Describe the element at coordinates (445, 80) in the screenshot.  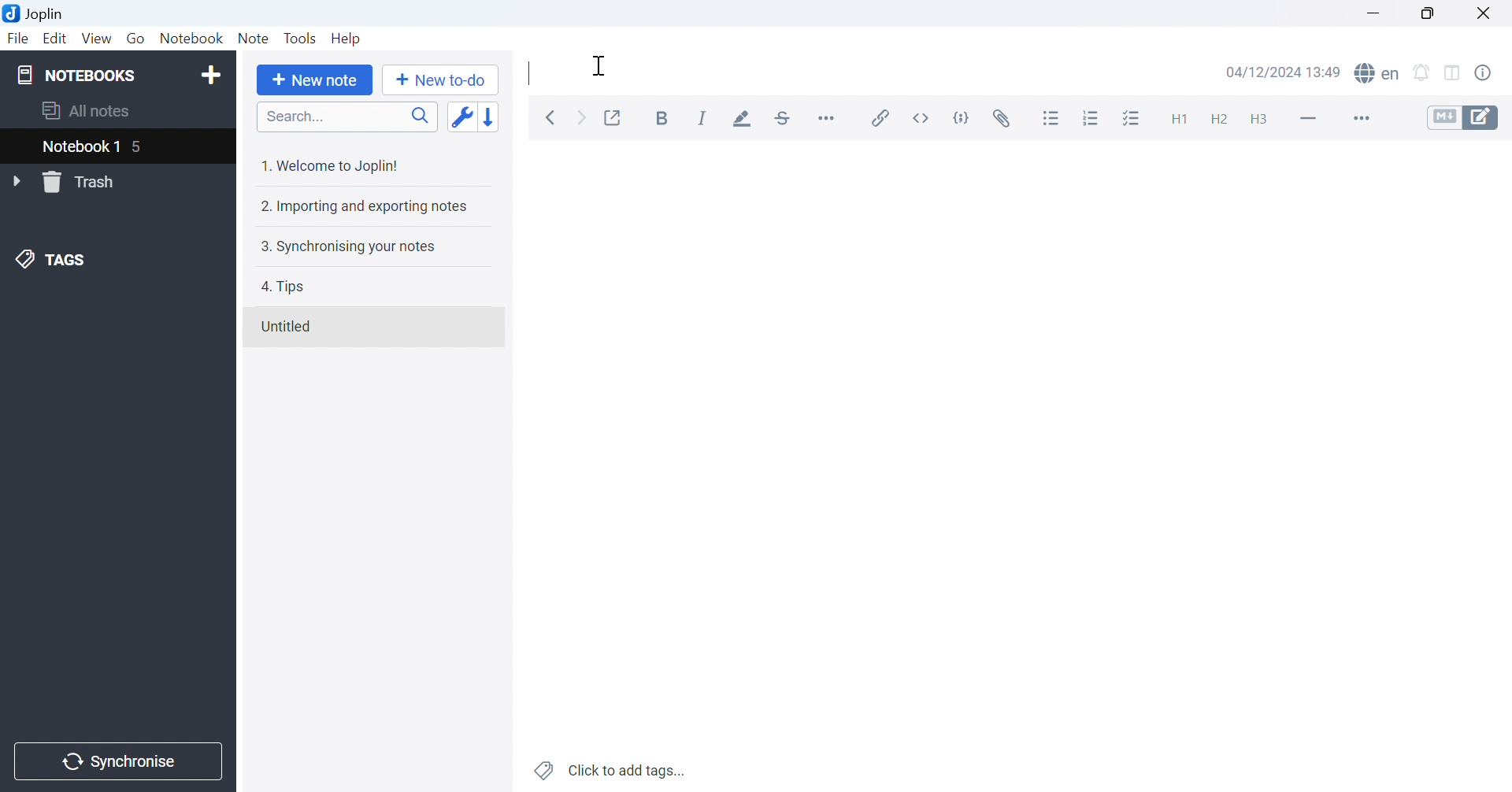
I see `New to-do` at that location.